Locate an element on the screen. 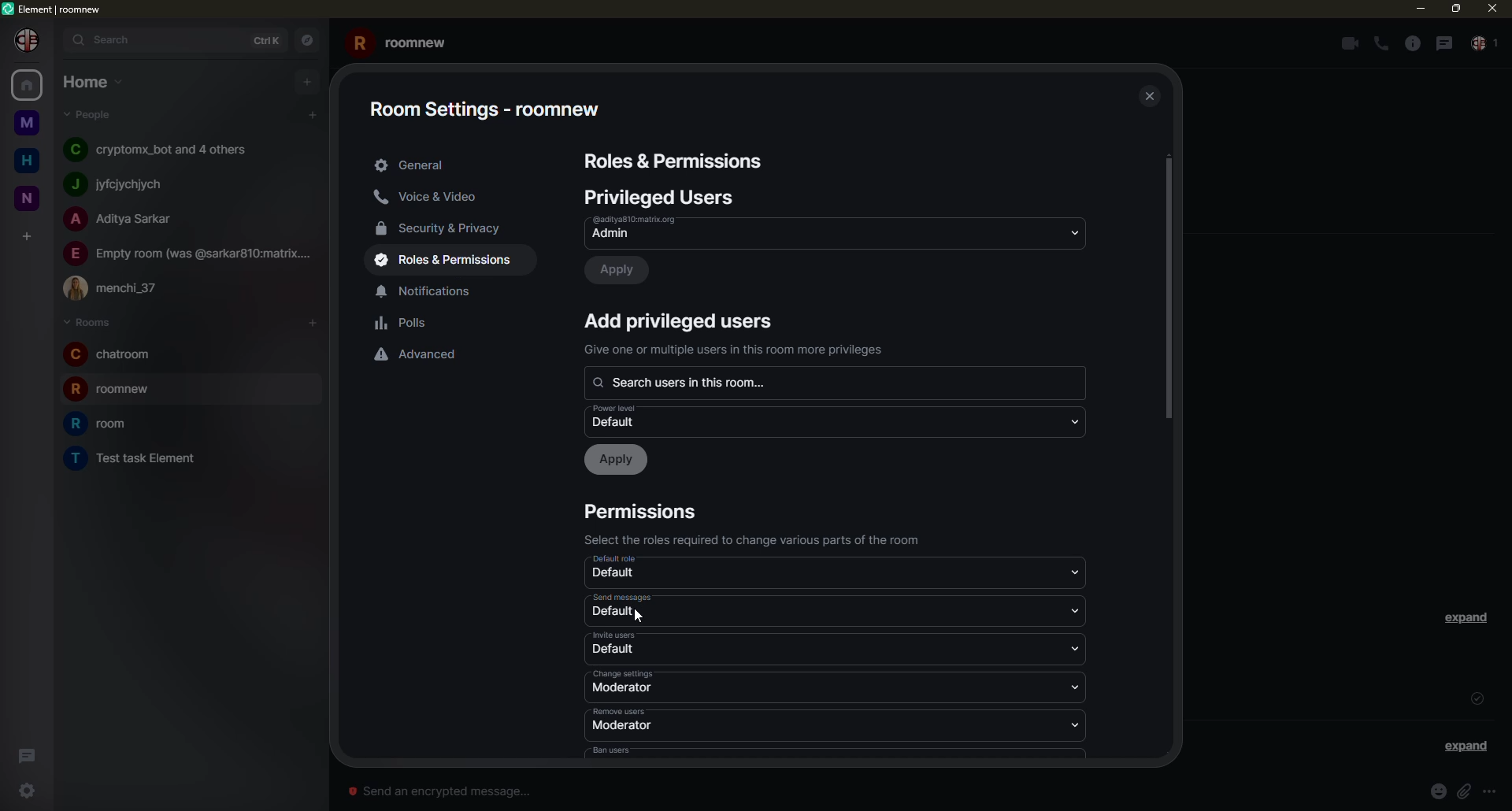  room is located at coordinates (120, 391).